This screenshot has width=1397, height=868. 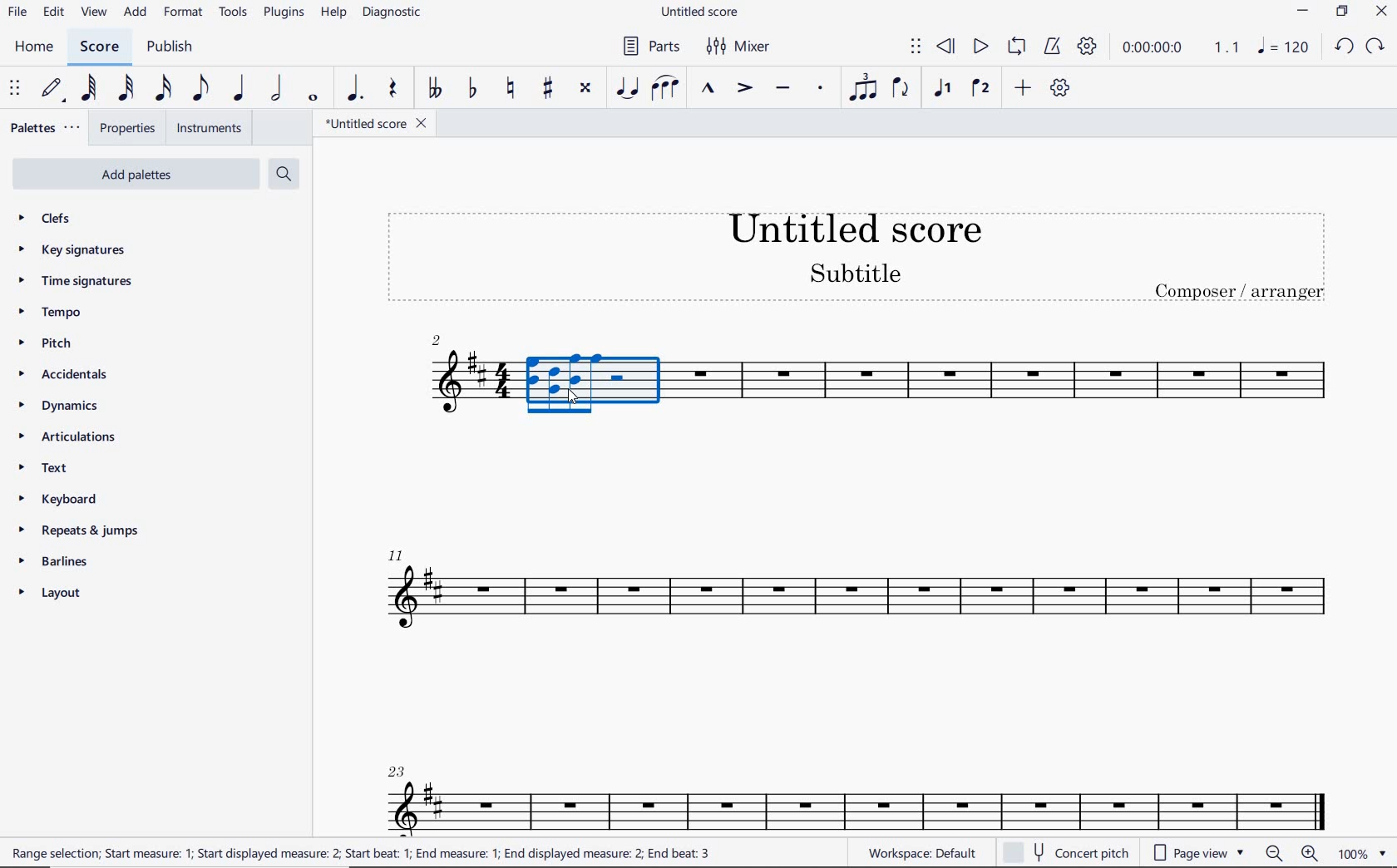 I want to click on SCORE, so click(x=99, y=47).